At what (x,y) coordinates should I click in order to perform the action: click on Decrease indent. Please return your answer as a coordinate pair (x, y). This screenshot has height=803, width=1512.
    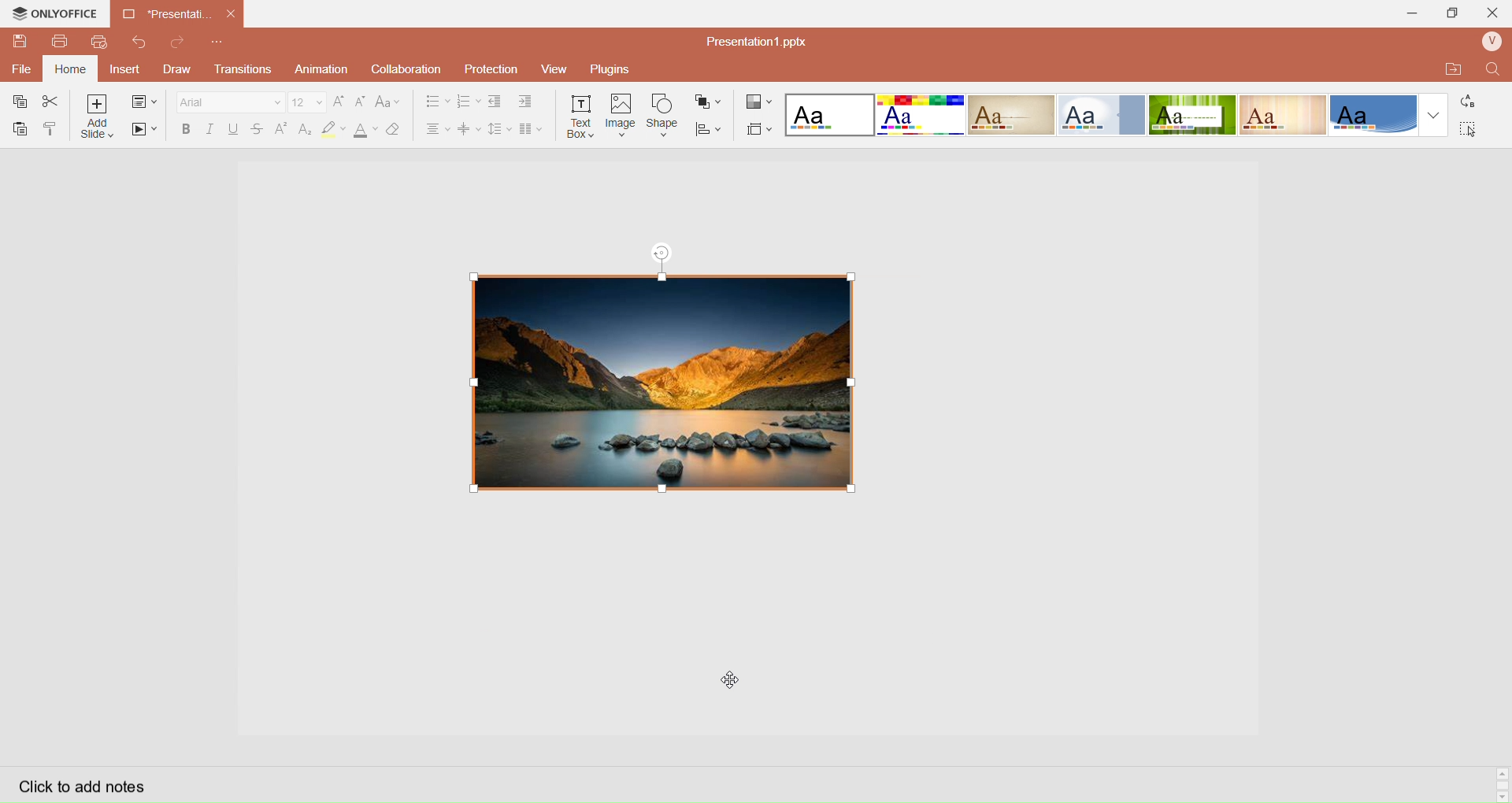
    Looking at the image, I should click on (498, 102).